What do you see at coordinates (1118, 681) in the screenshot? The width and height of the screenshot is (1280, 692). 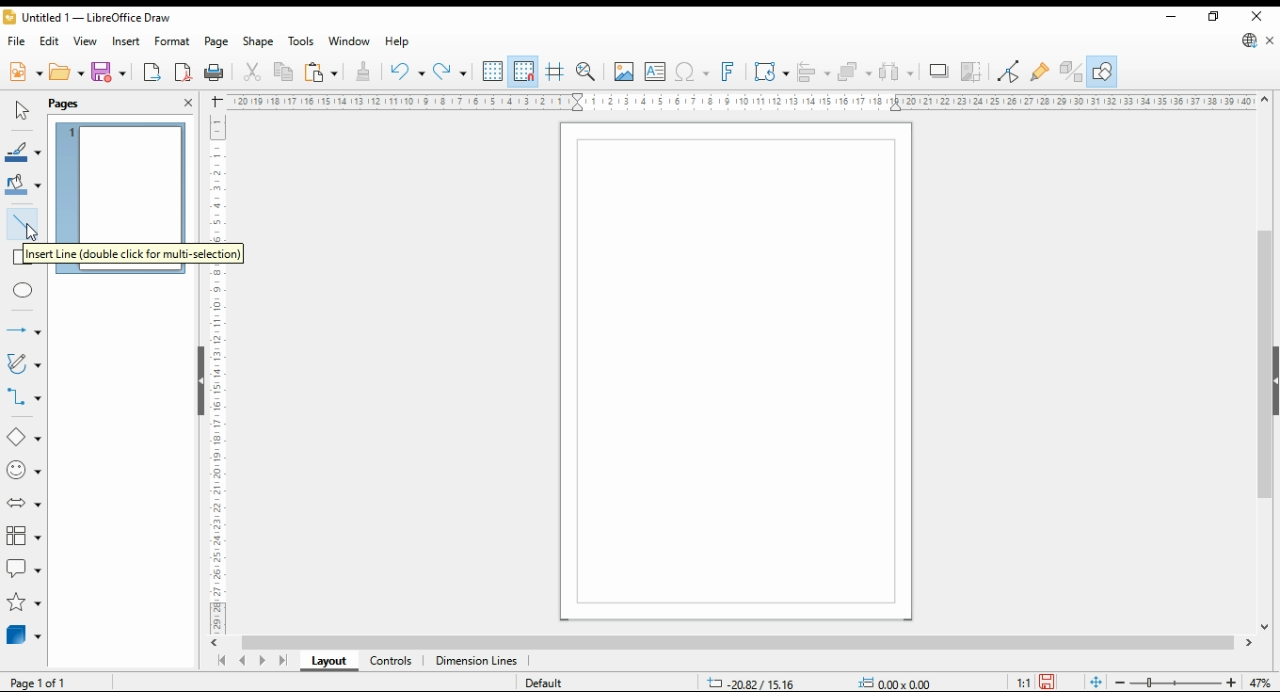 I see `decrease zoom` at bounding box center [1118, 681].